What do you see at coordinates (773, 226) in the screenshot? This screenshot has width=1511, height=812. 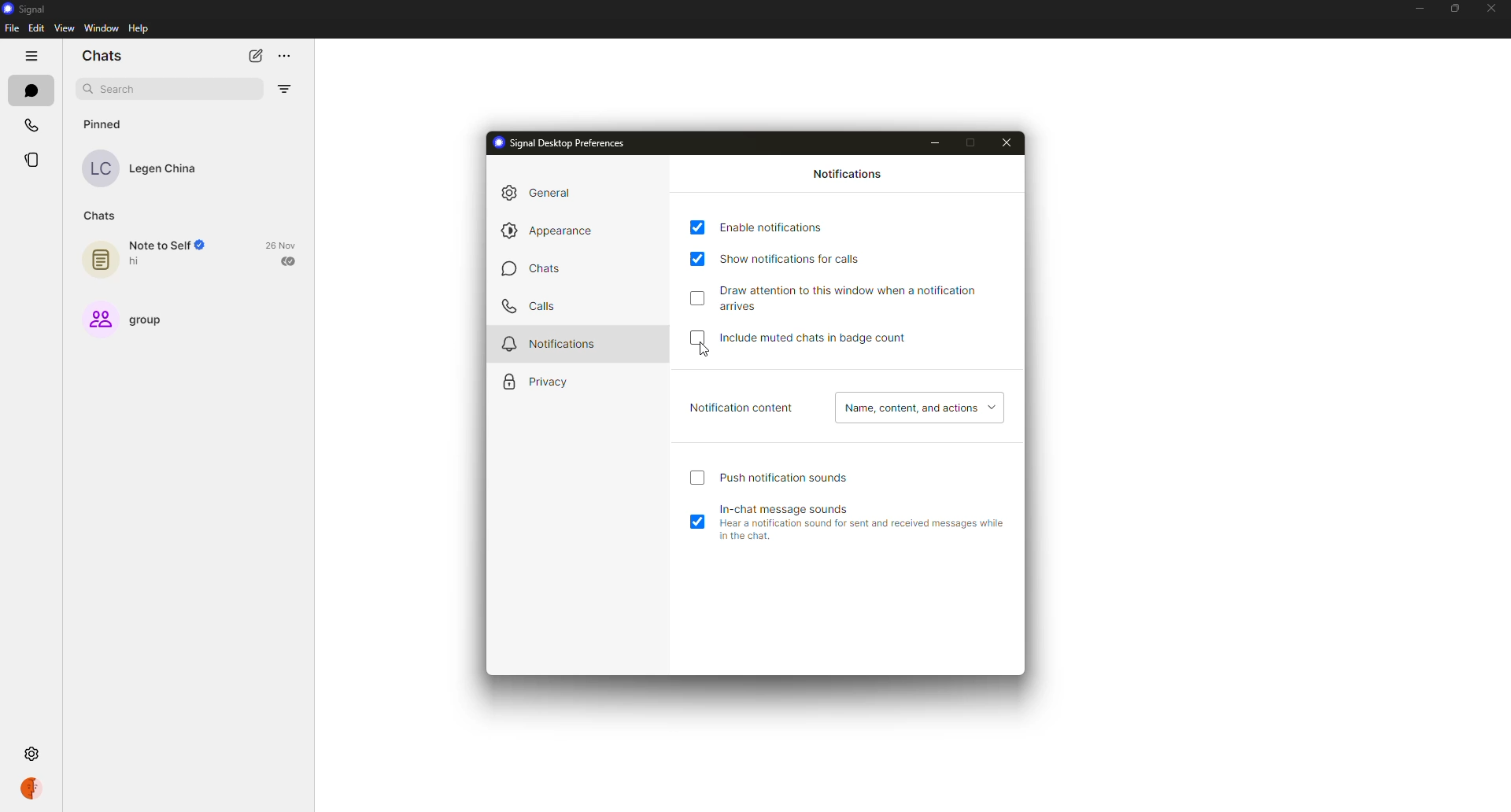 I see `enable notifications` at bounding box center [773, 226].